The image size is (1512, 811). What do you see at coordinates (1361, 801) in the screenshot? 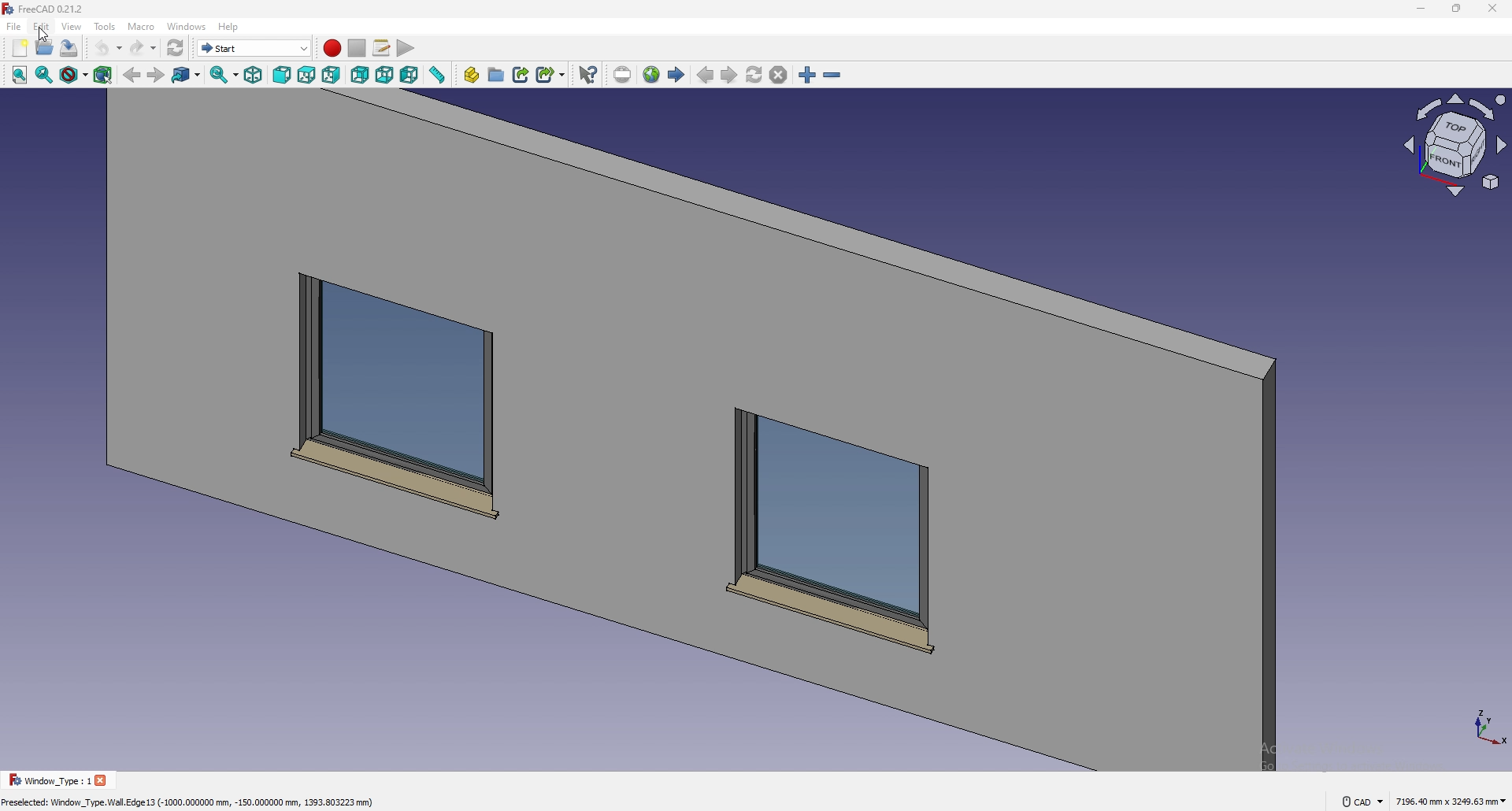
I see `CAD` at bounding box center [1361, 801].